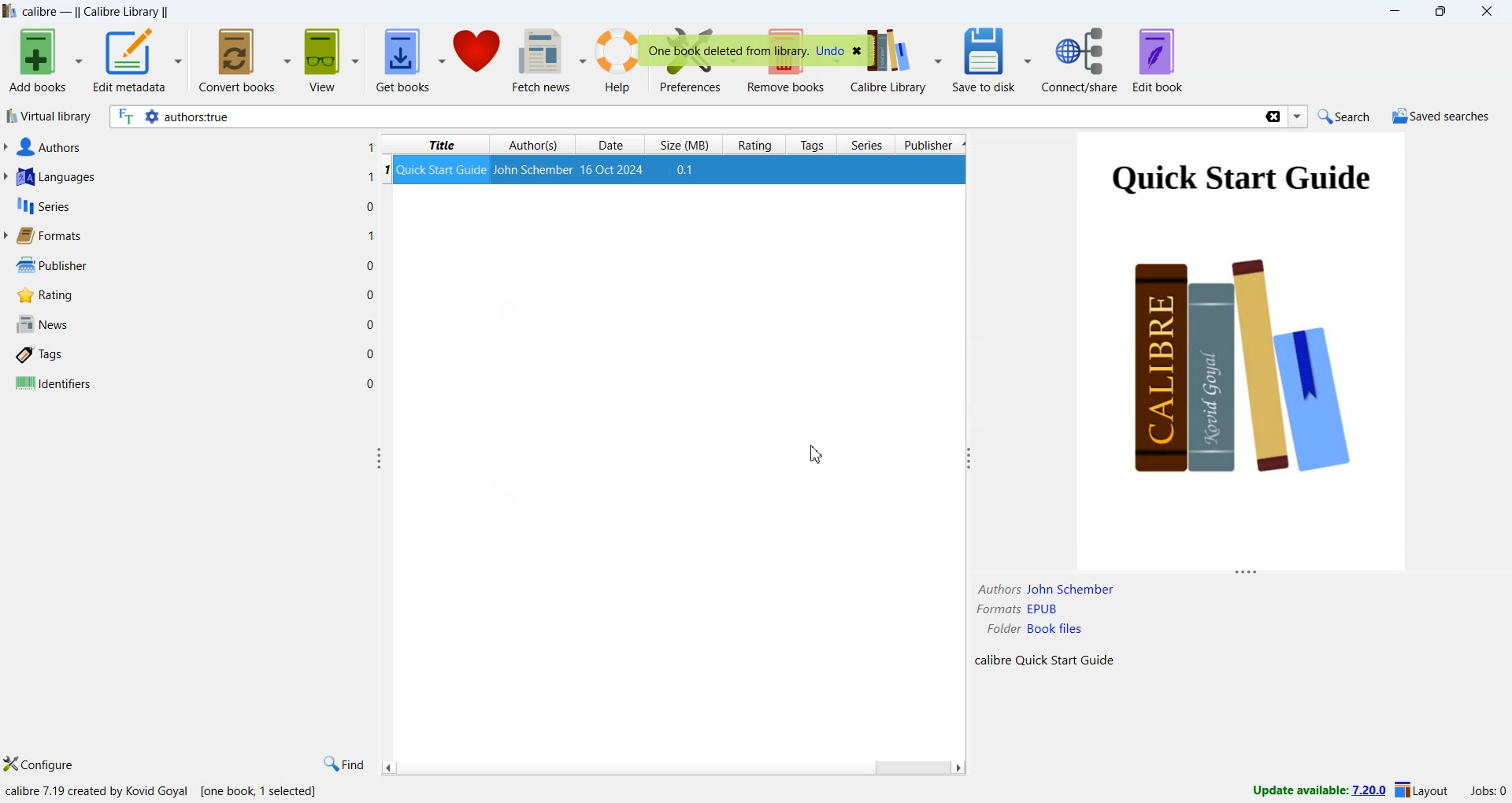  I want to click on identifiers, so click(53, 384).